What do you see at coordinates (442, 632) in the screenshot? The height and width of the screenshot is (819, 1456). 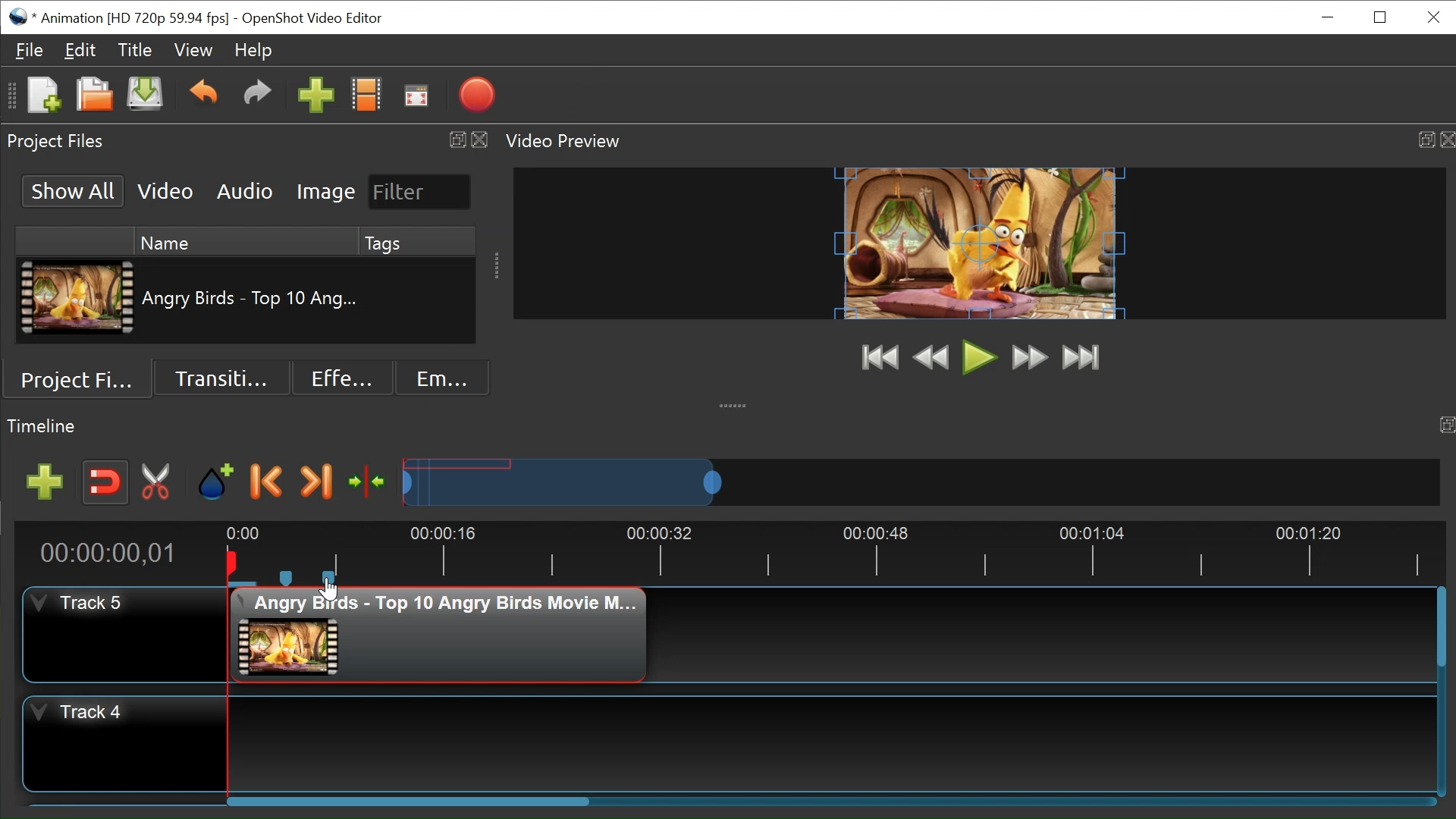 I see `Clip` at bounding box center [442, 632].